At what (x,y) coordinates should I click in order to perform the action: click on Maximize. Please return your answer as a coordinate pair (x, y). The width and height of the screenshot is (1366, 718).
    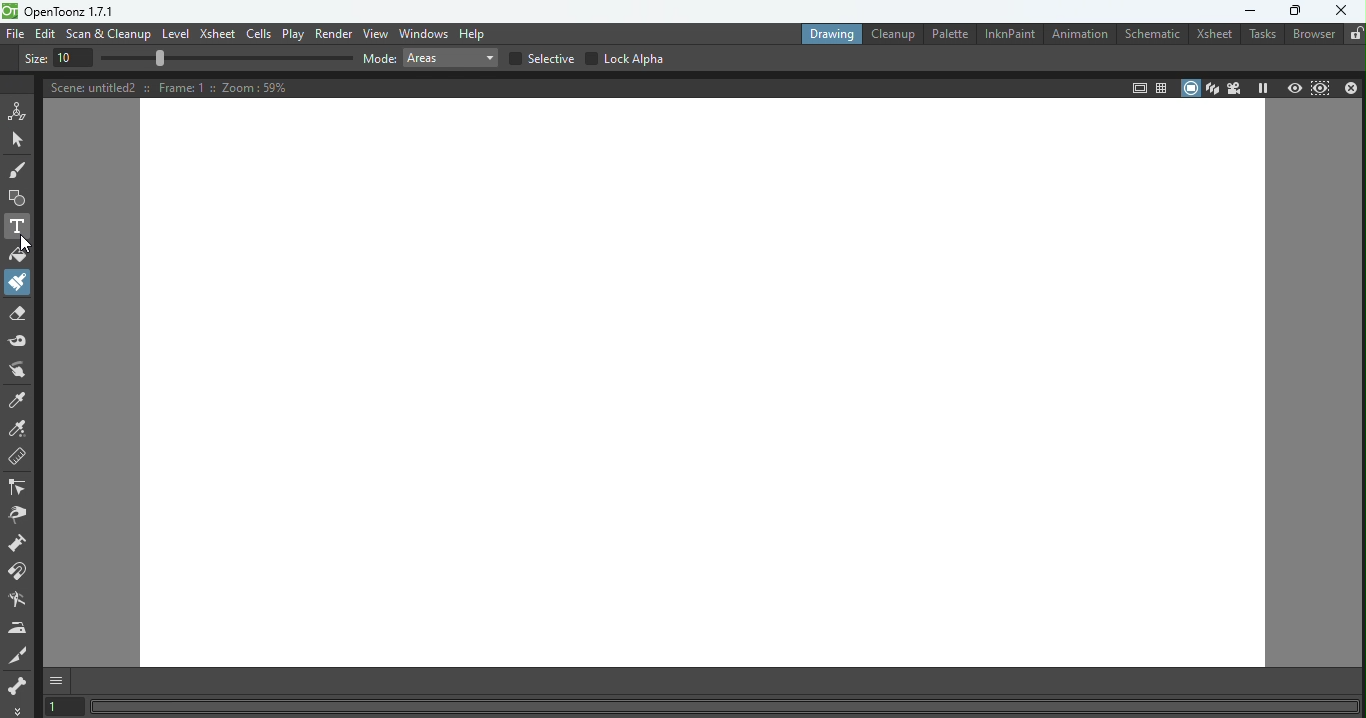
    Looking at the image, I should click on (1297, 12).